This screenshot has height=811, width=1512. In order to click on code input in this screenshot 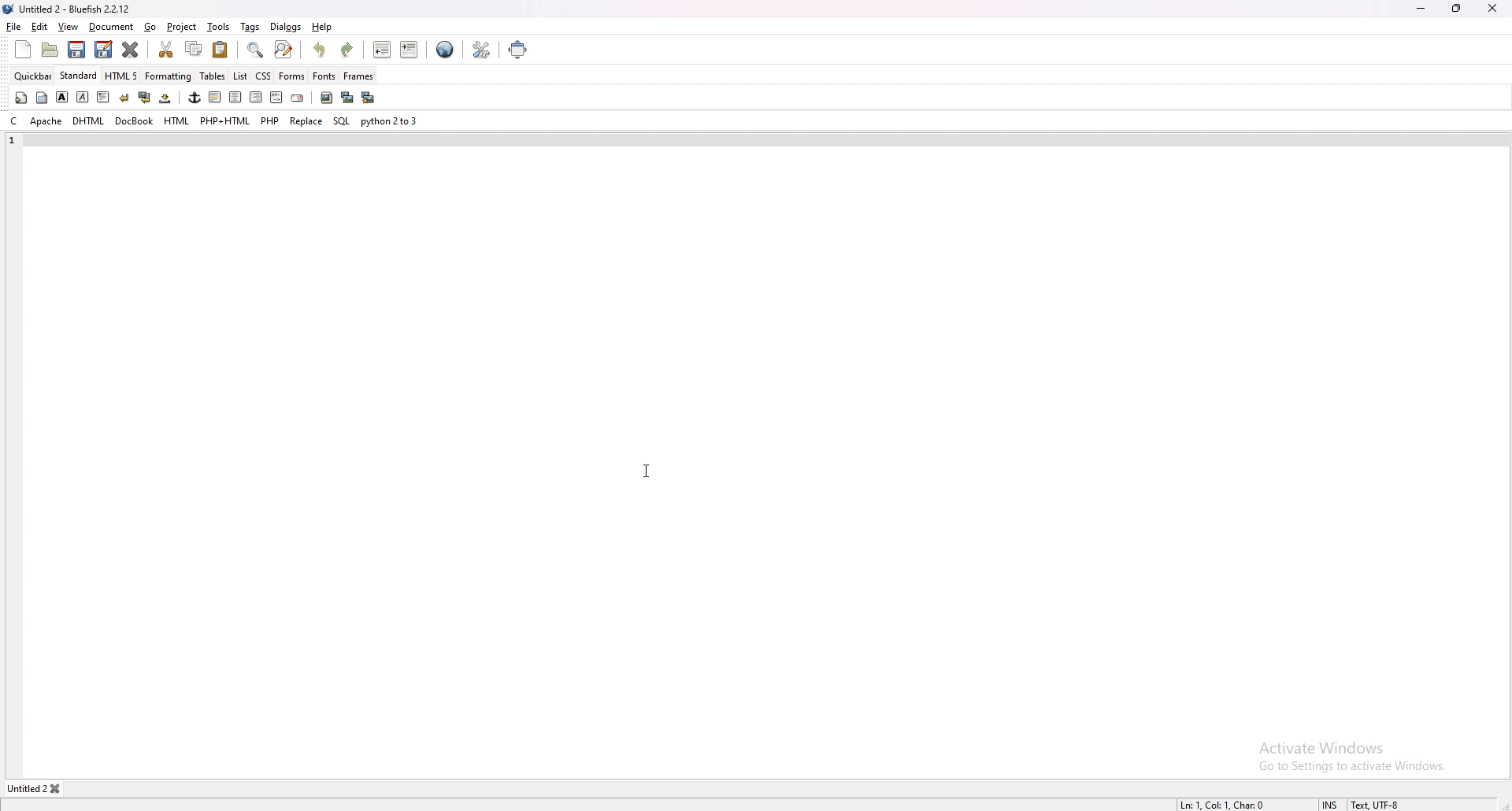, I will do `click(270, 140)`.